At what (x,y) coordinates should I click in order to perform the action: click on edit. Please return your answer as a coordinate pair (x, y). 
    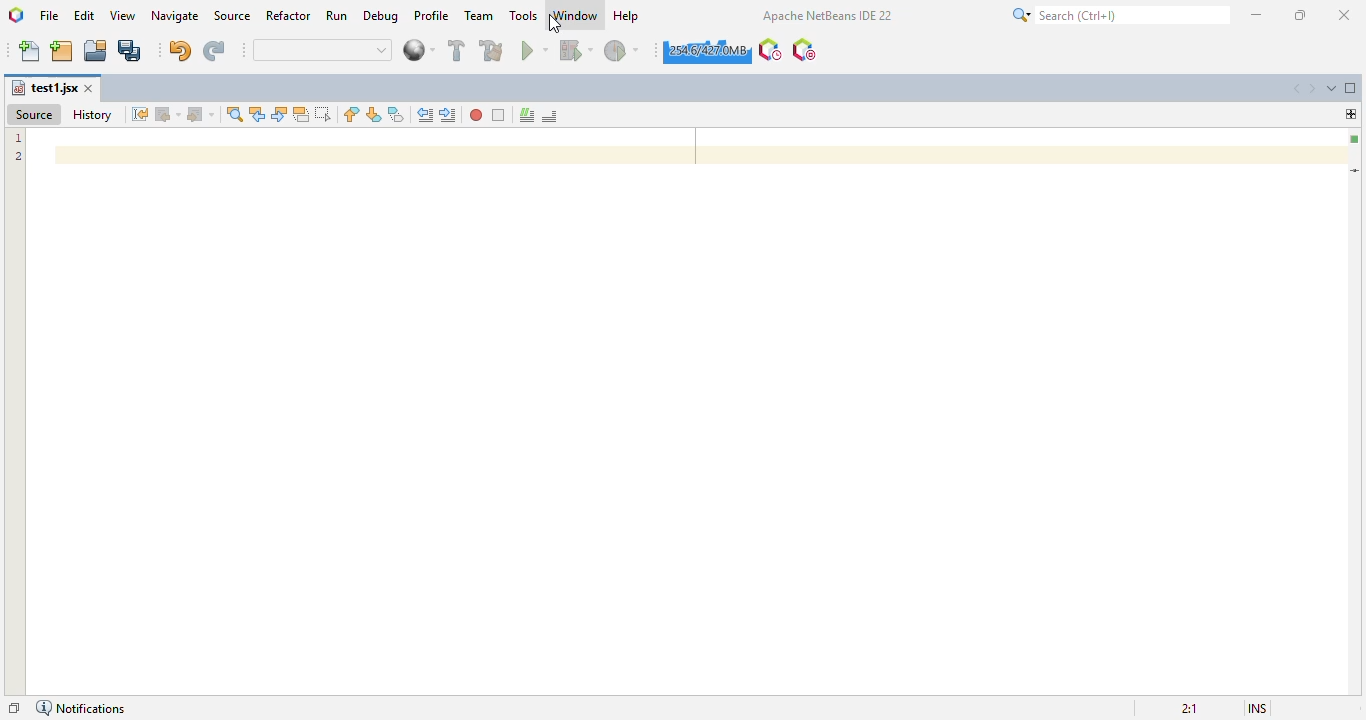
    Looking at the image, I should click on (85, 15).